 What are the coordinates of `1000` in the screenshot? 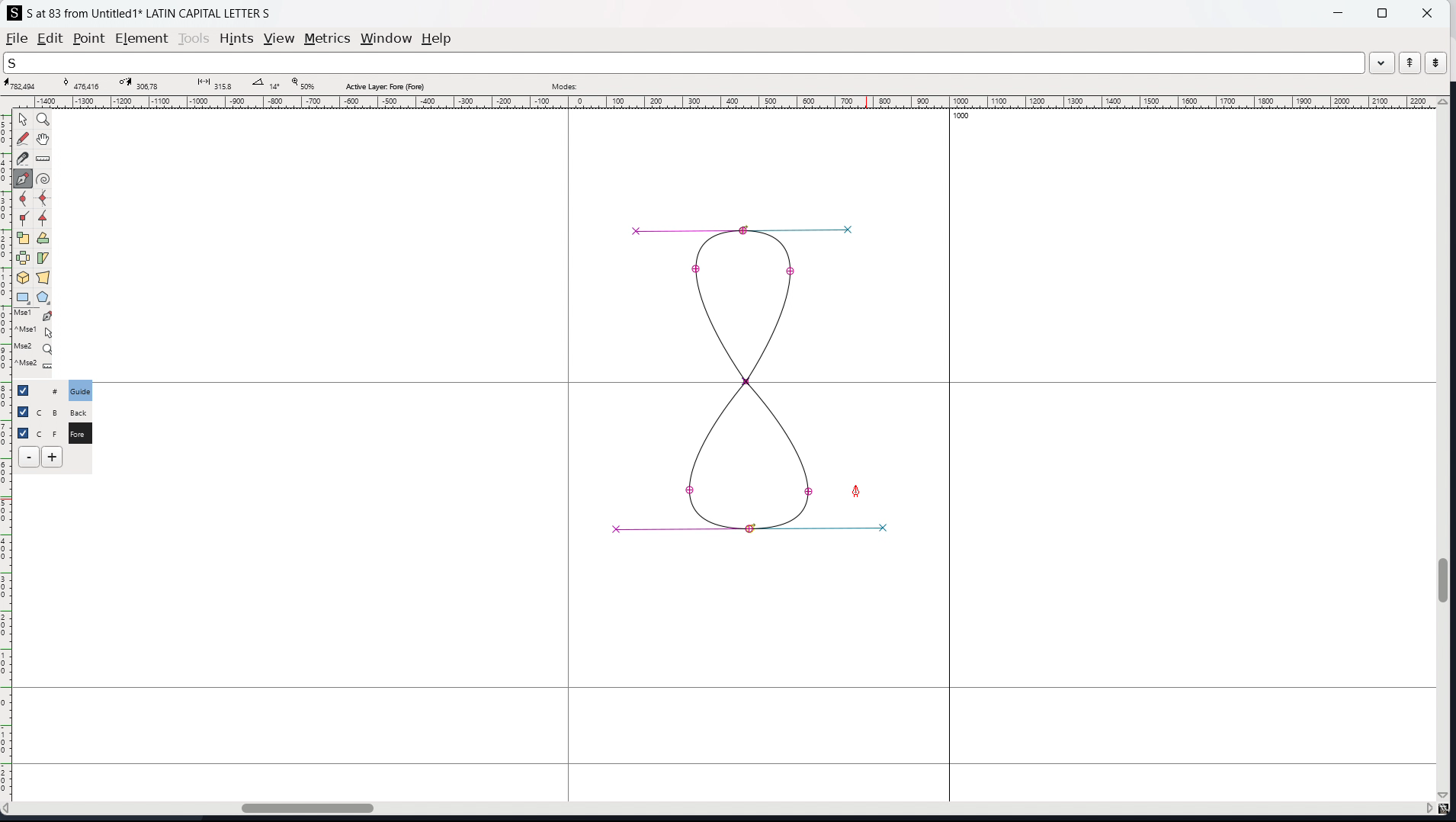 It's located at (966, 117).